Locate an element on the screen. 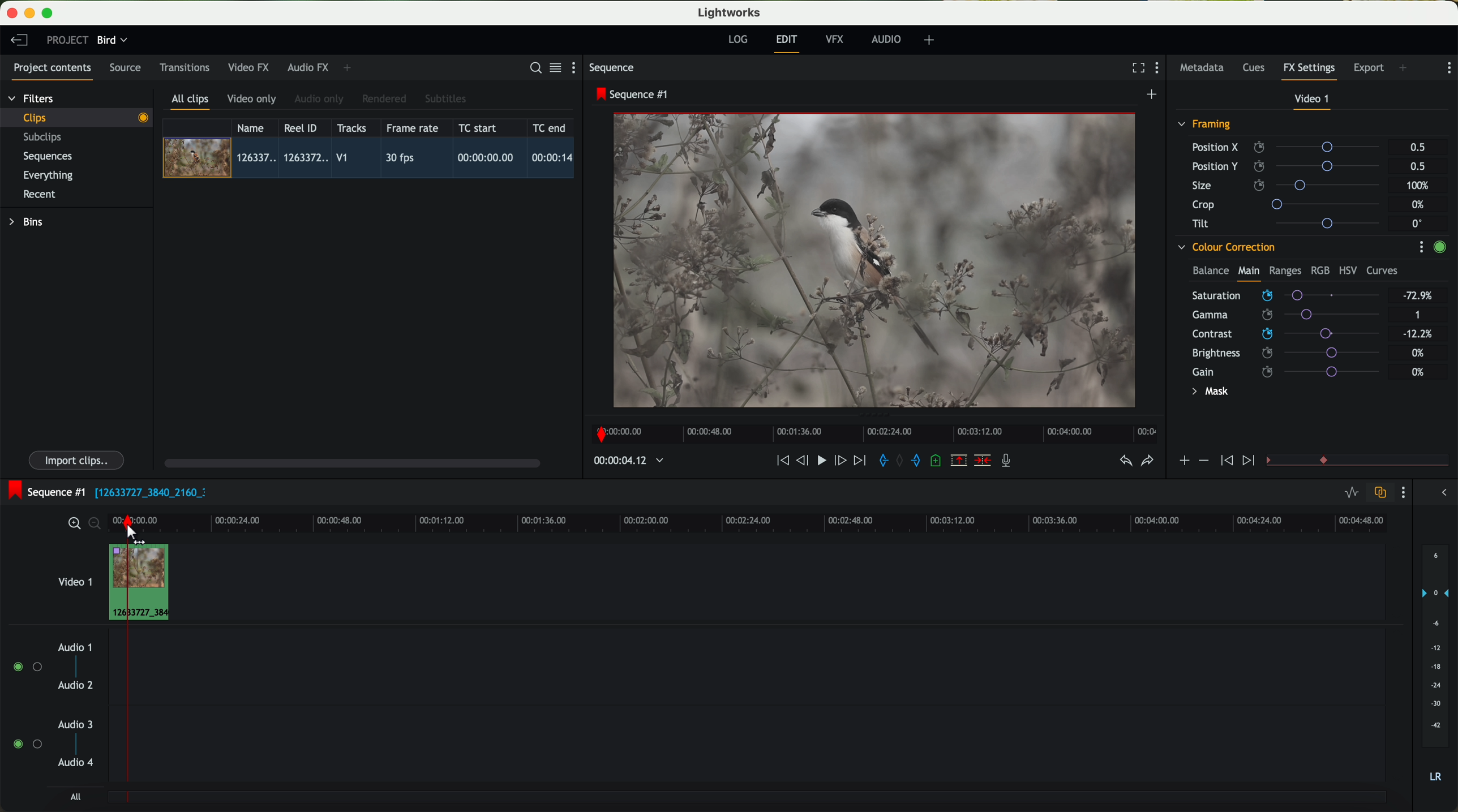 The image size is (1458, 812). brightness is located at coordinates (1295, 353).